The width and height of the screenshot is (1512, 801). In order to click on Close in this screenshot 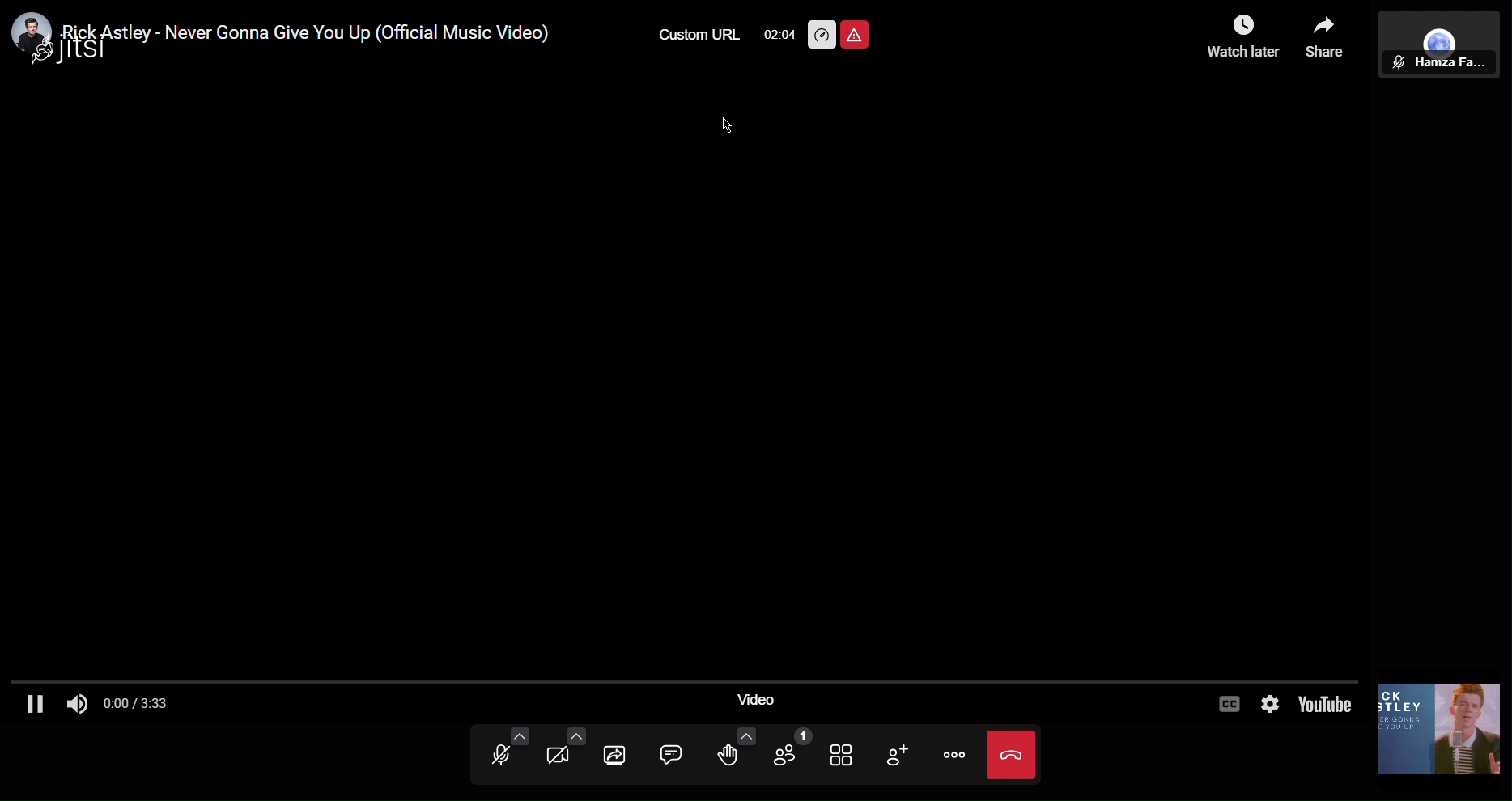, I will do `click(1013, 753)`.